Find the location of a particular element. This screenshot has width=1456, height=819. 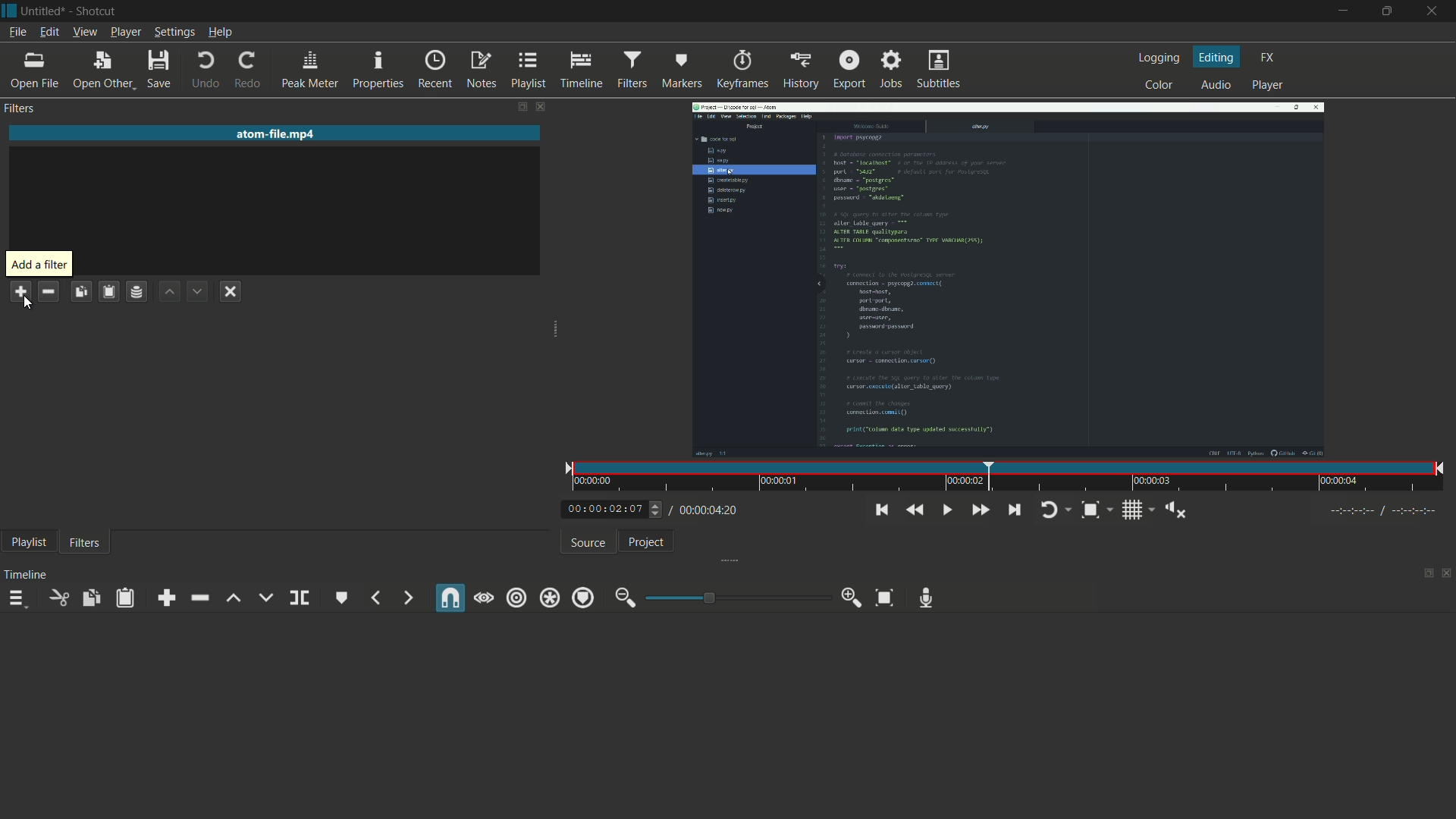

overwrite is located at coordinates (265, 597).